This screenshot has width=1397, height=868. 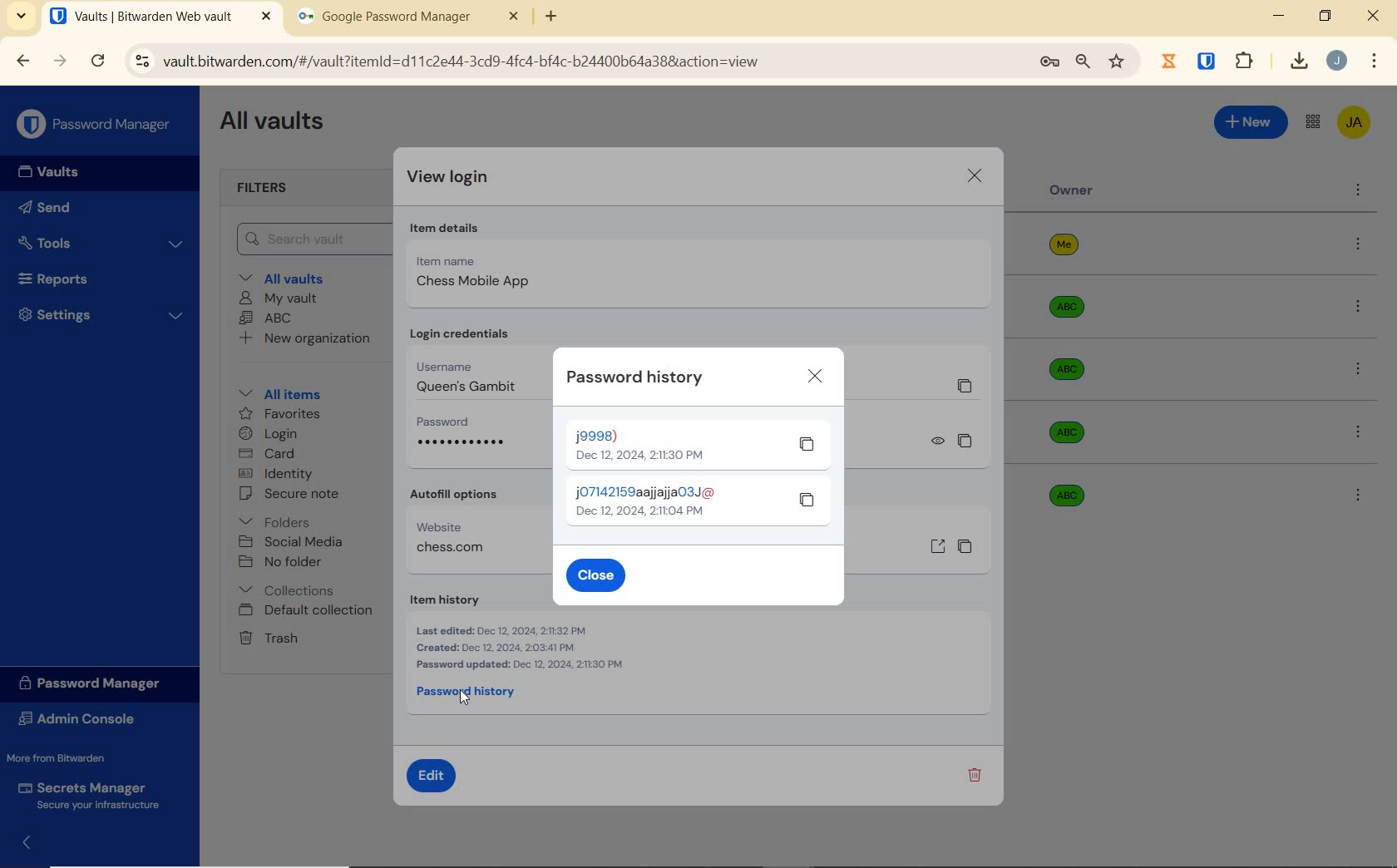 I want to click on forward, so click(x=59, y=62).